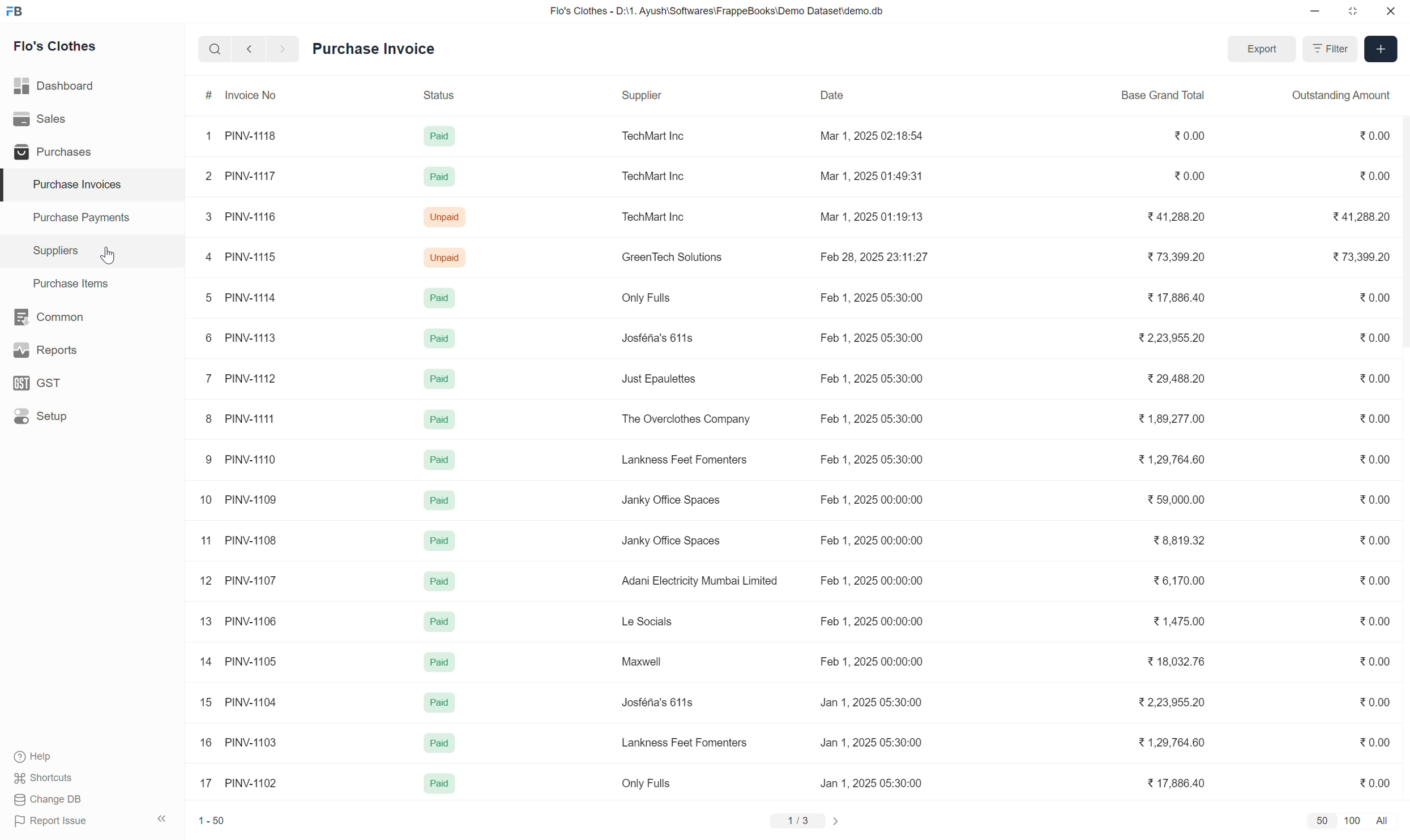  I want to click on Paid, so click(438, 660).